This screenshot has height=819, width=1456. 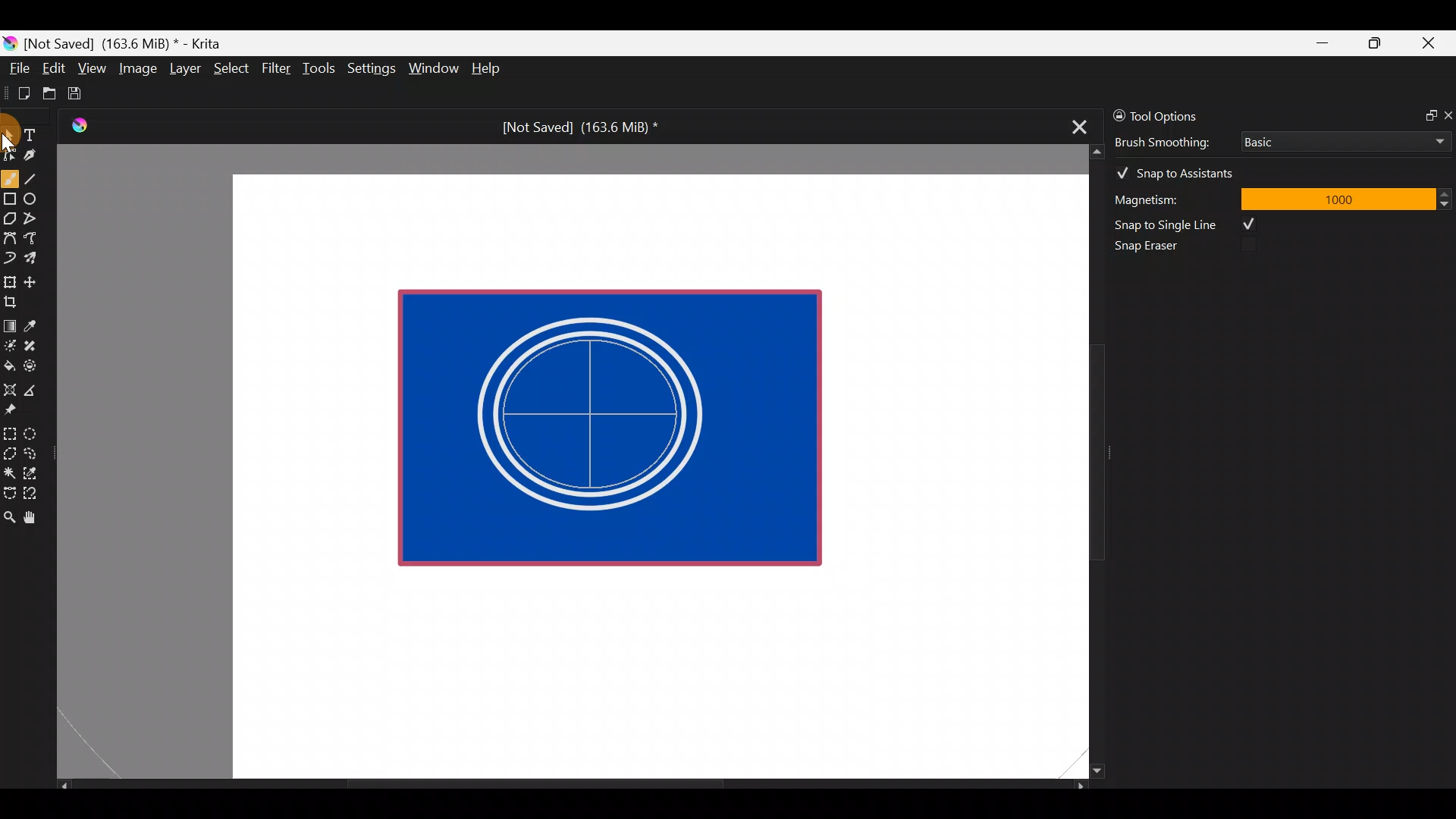 I want to click on Rectangle tool, so click(x=10, y=200).